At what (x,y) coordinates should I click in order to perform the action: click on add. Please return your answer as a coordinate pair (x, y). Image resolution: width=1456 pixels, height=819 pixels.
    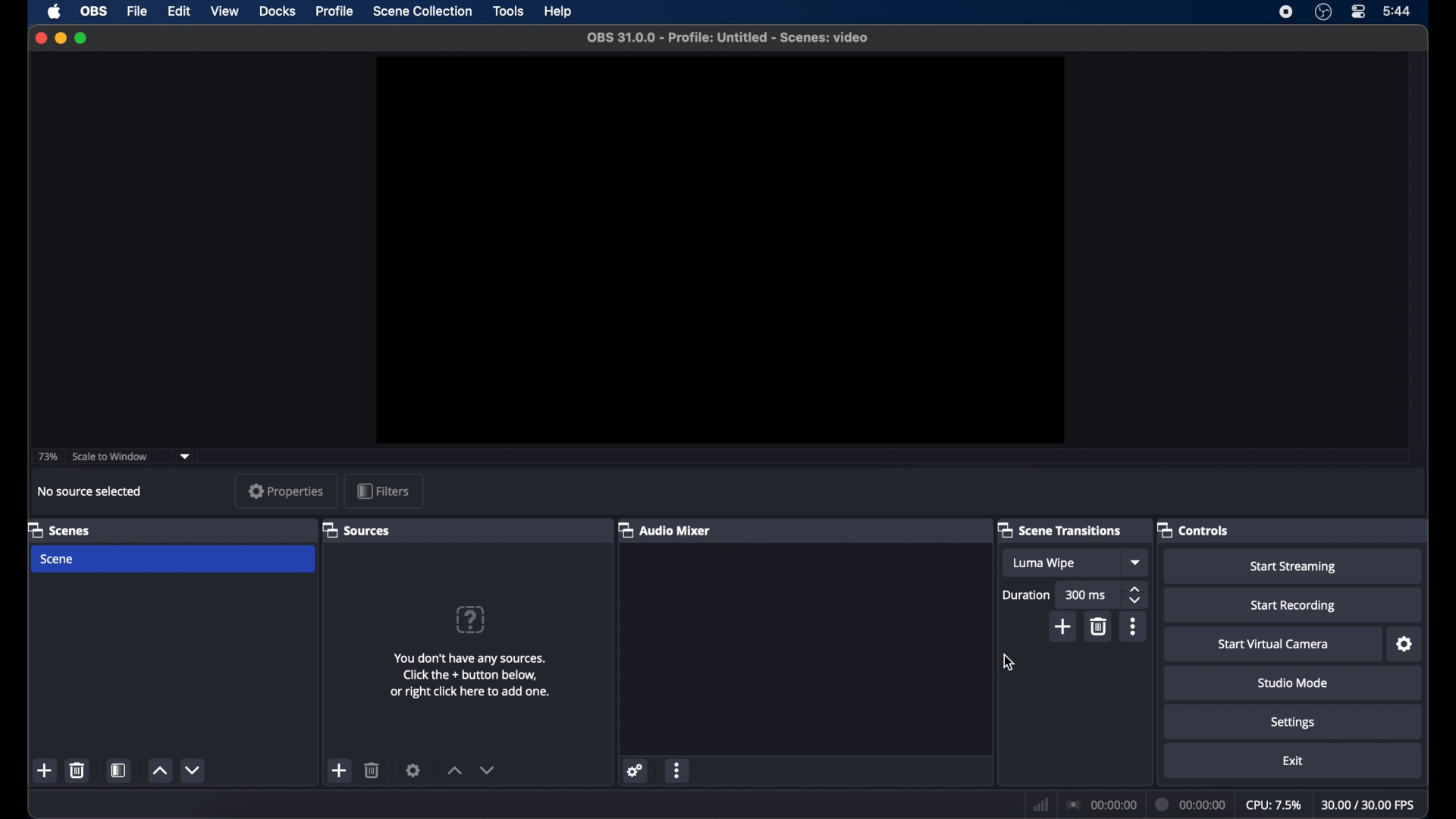
    Looking at the image, I should click on (340, 770).